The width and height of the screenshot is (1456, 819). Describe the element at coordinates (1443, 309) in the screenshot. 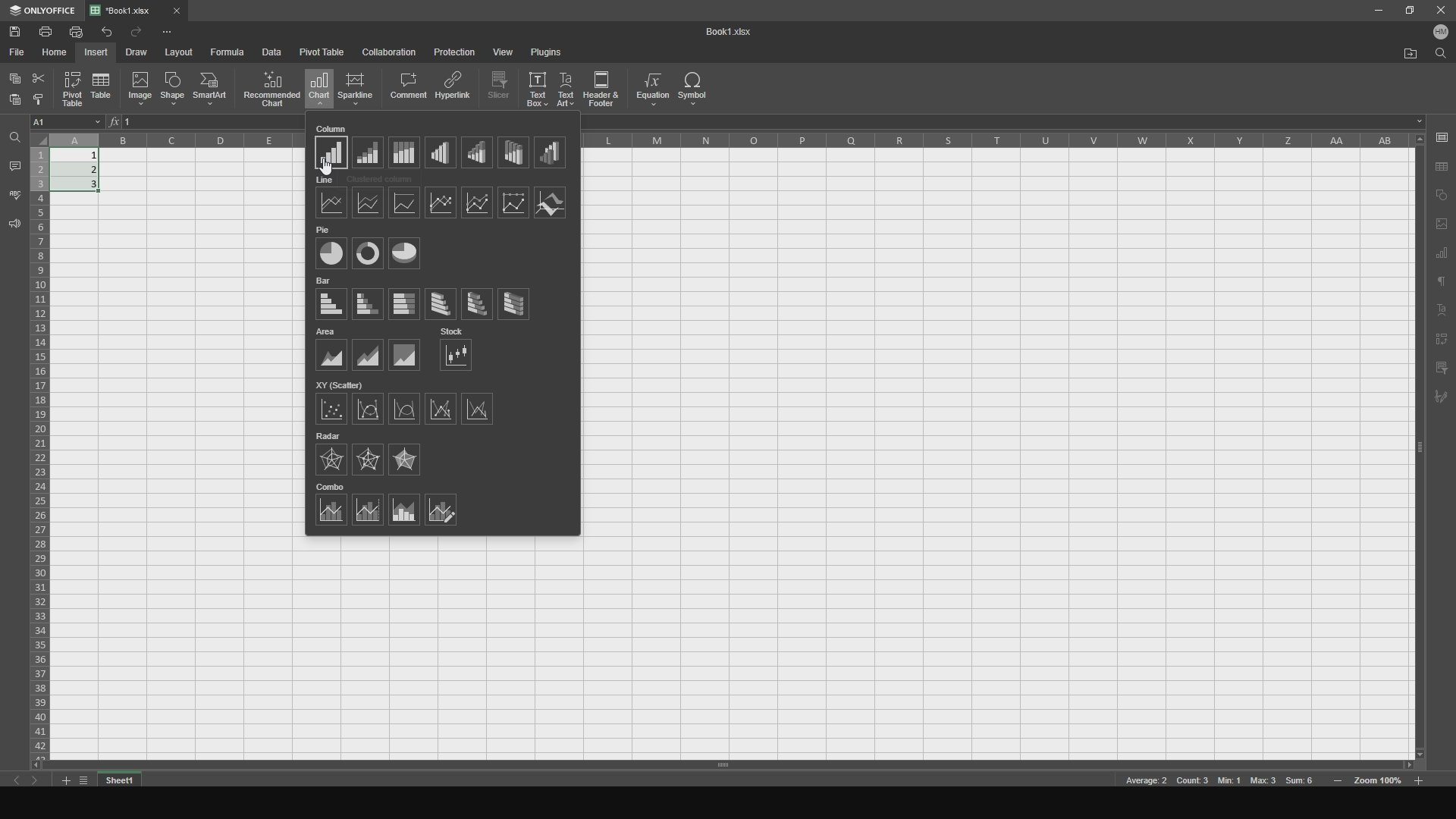

I see `text art` at that location.